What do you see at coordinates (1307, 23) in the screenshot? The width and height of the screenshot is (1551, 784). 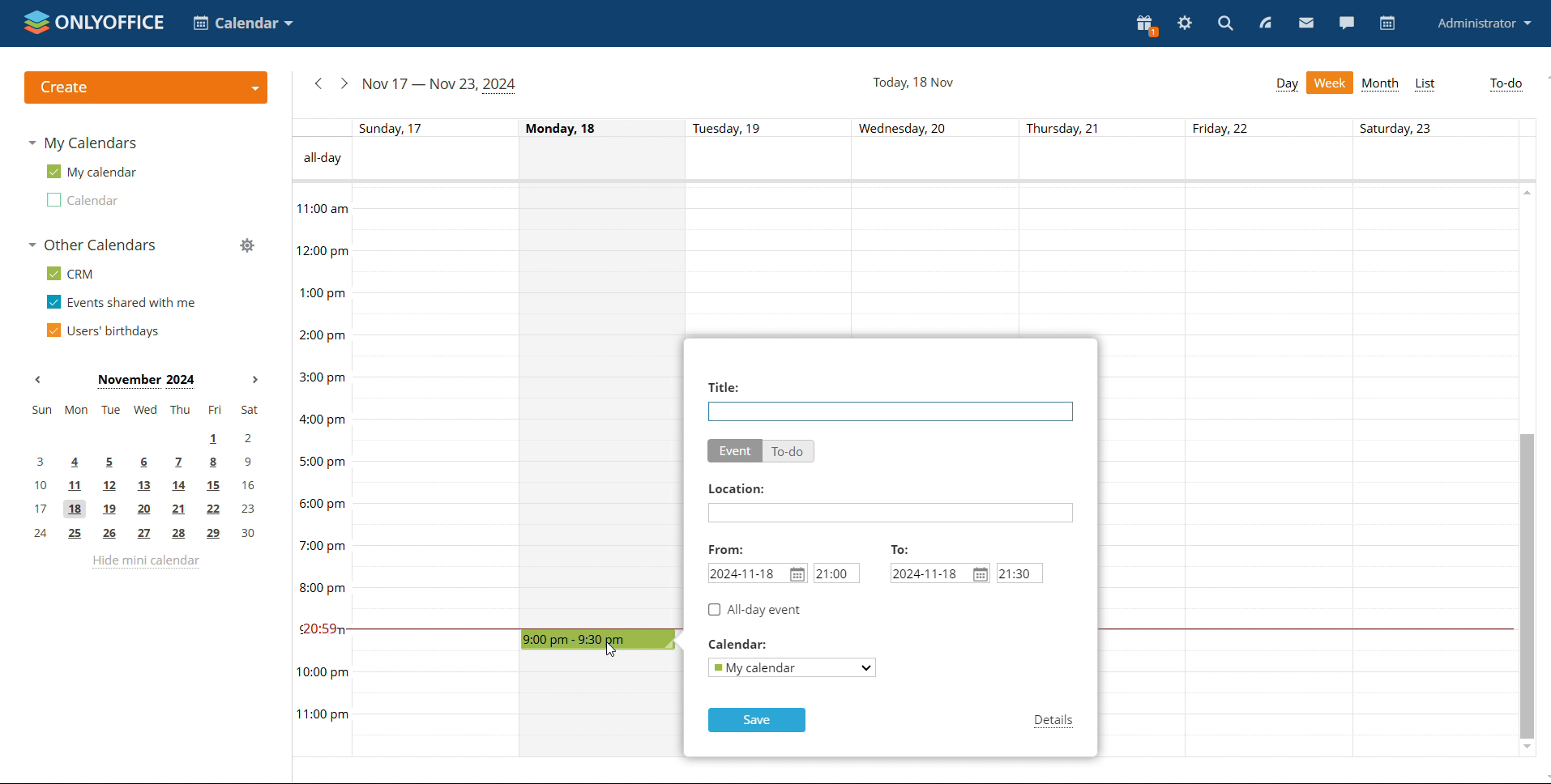 I see `mail` at bounding box center [1307, 23].